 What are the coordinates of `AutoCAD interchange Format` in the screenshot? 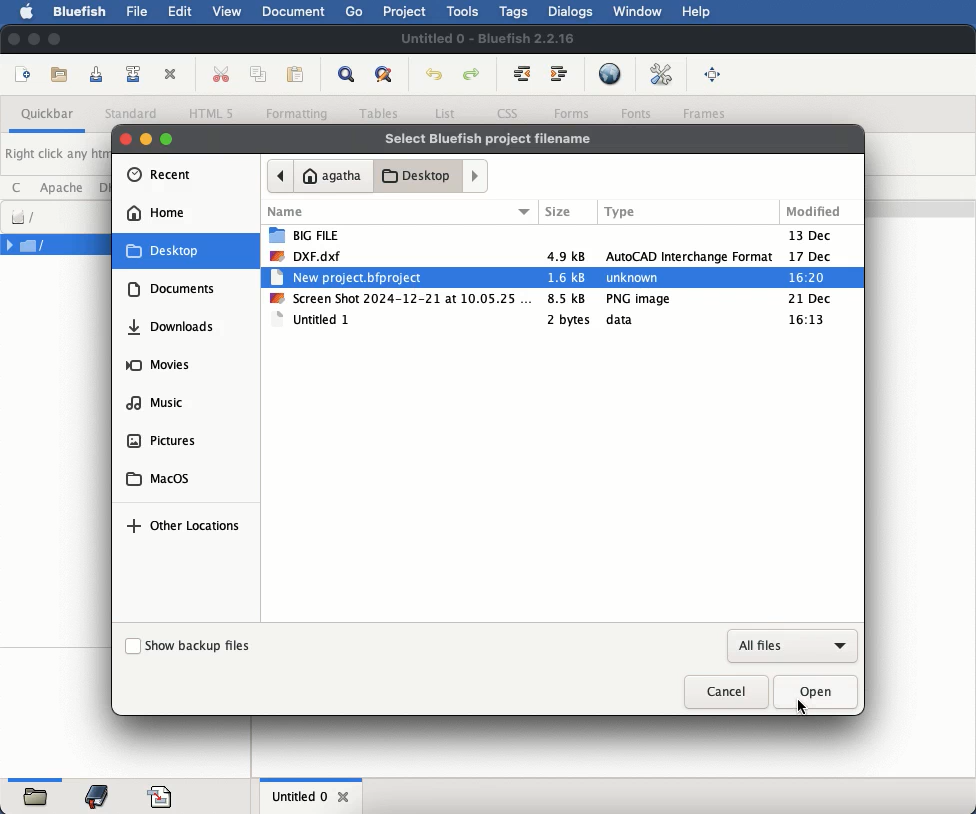 It's located at (688, 252).